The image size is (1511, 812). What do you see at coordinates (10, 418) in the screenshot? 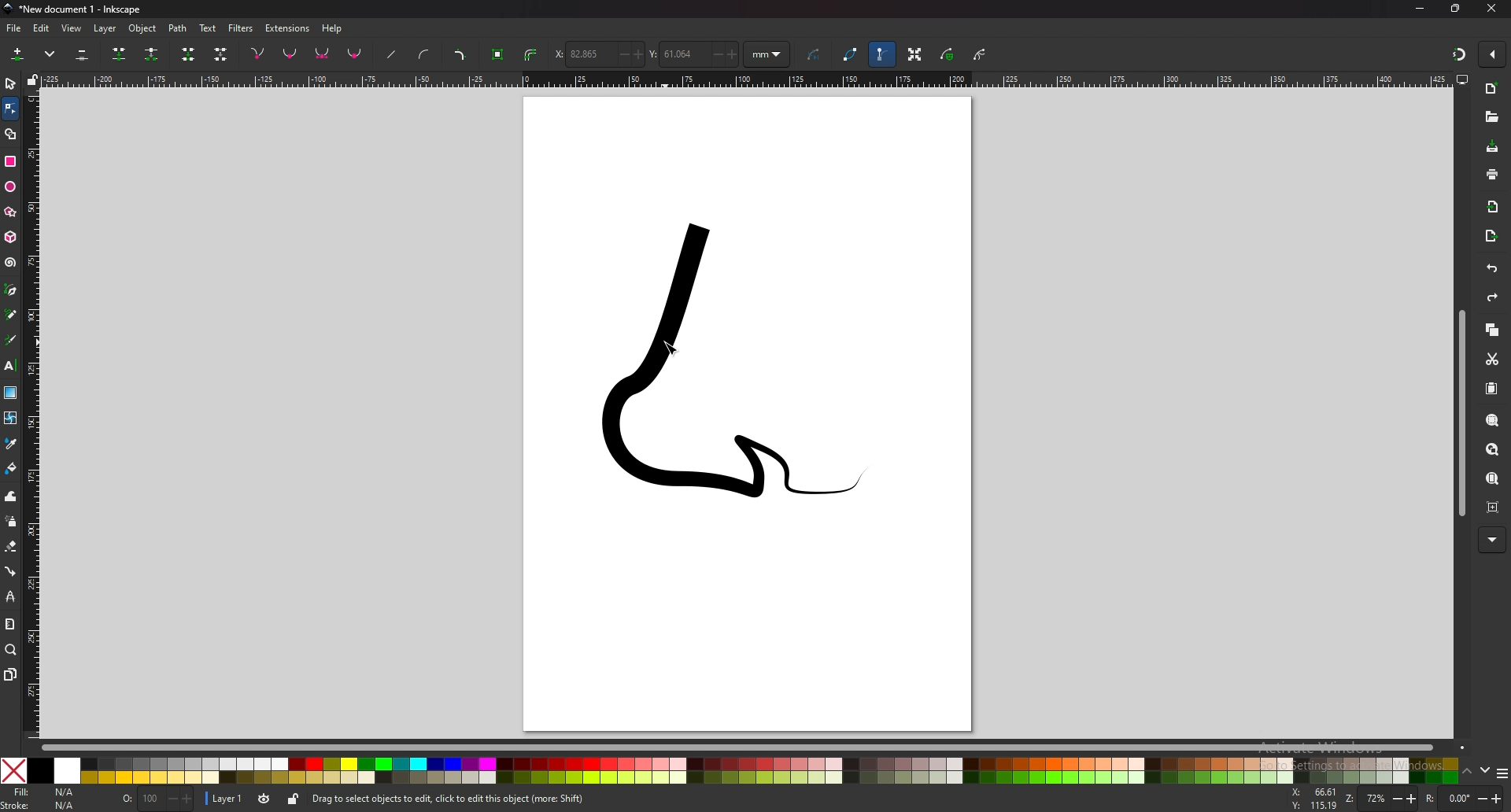
I see `mesh` at bounding box center [10, 418].